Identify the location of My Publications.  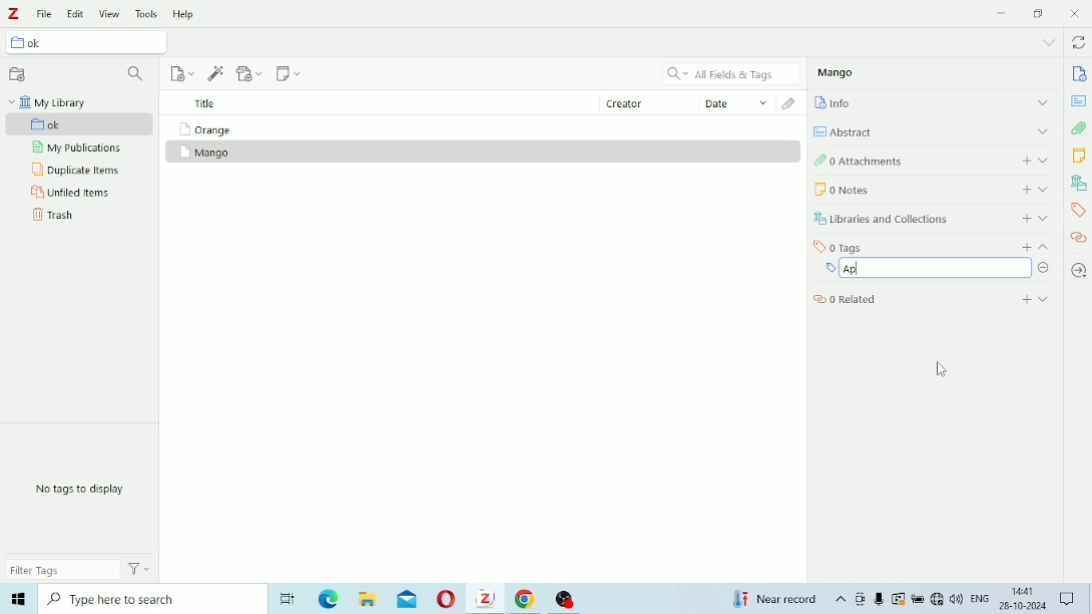
(78, 148).